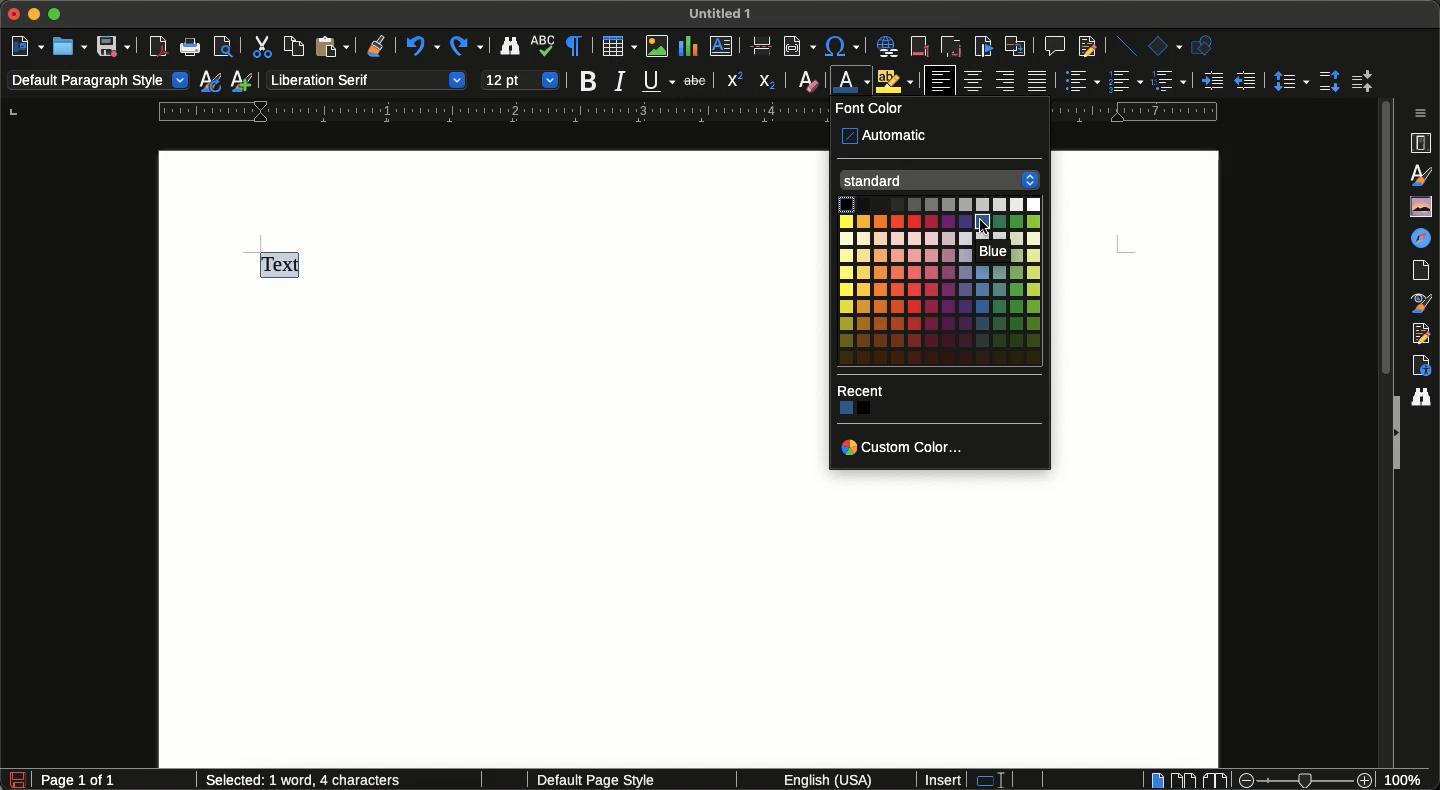 The height and width of the screenshot is (790, 1440). Describe the element at coordinates (843, 44) in the screenshot. I see `Insert special characters` at that location.